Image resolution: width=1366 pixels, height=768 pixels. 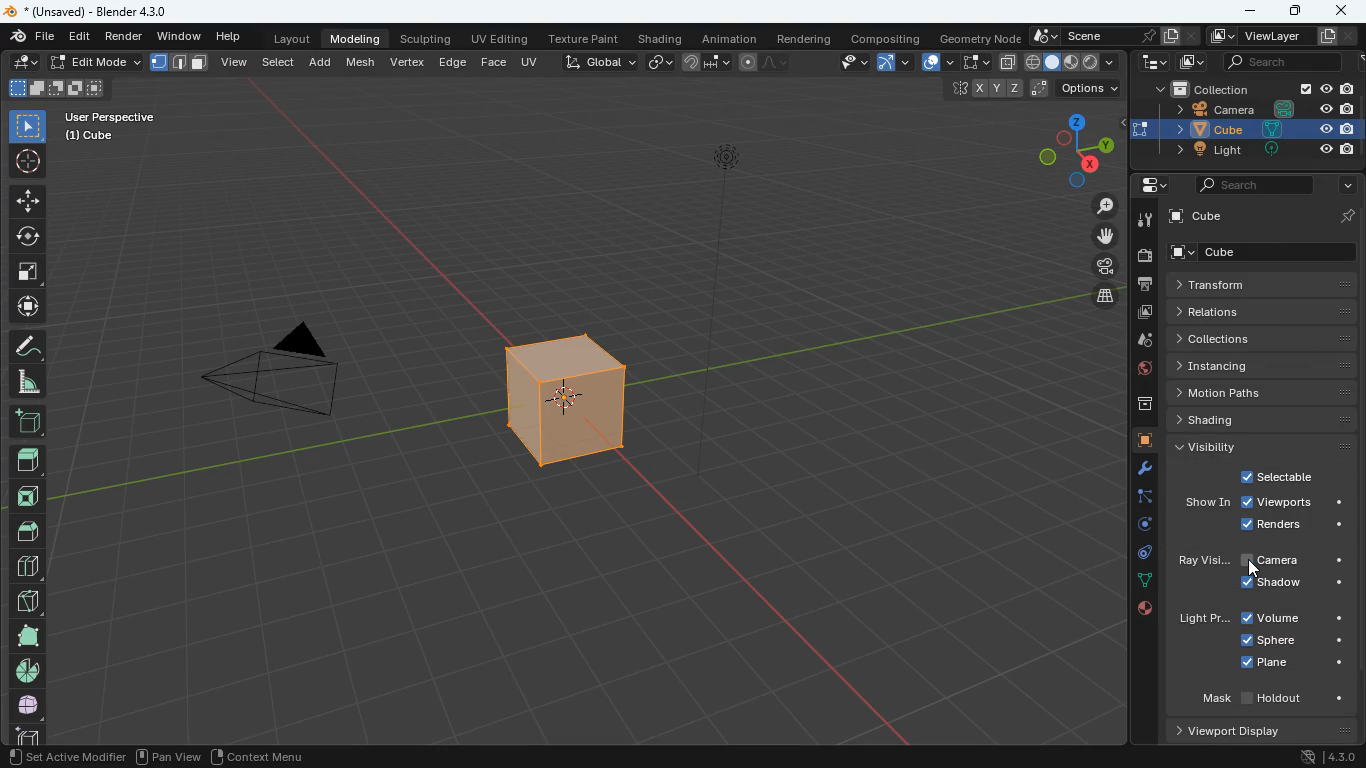 I want to click on viewport diplay, so click(x=1235, y=731).